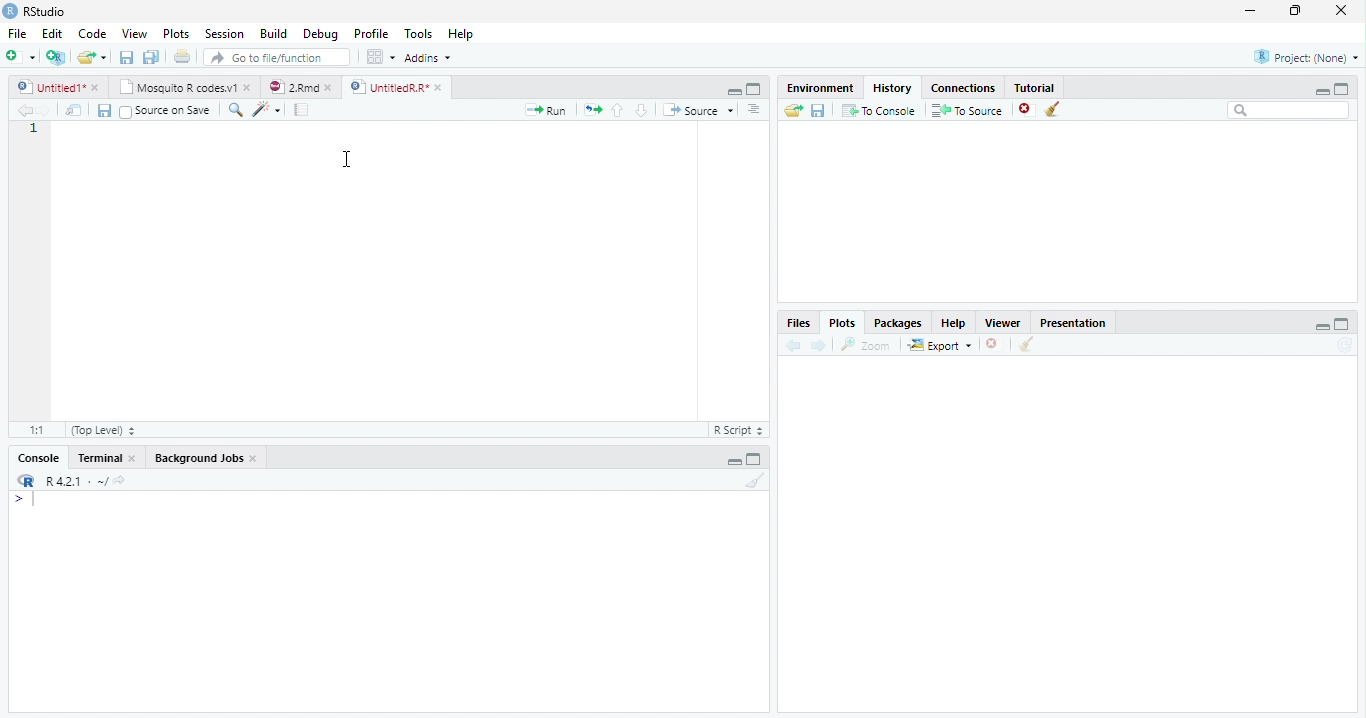  I want to click on Show in new window, so click(74, 110).